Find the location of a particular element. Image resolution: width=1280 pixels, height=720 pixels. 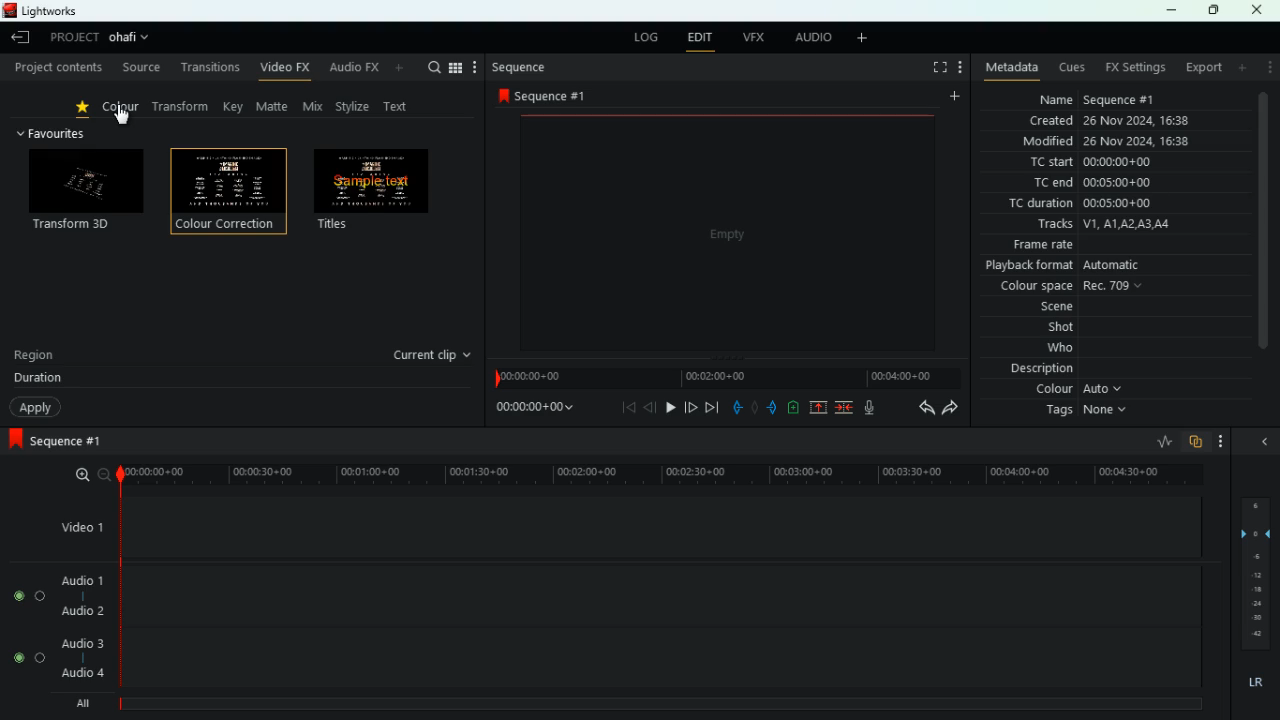

audio is located at coordinates (811, 38).